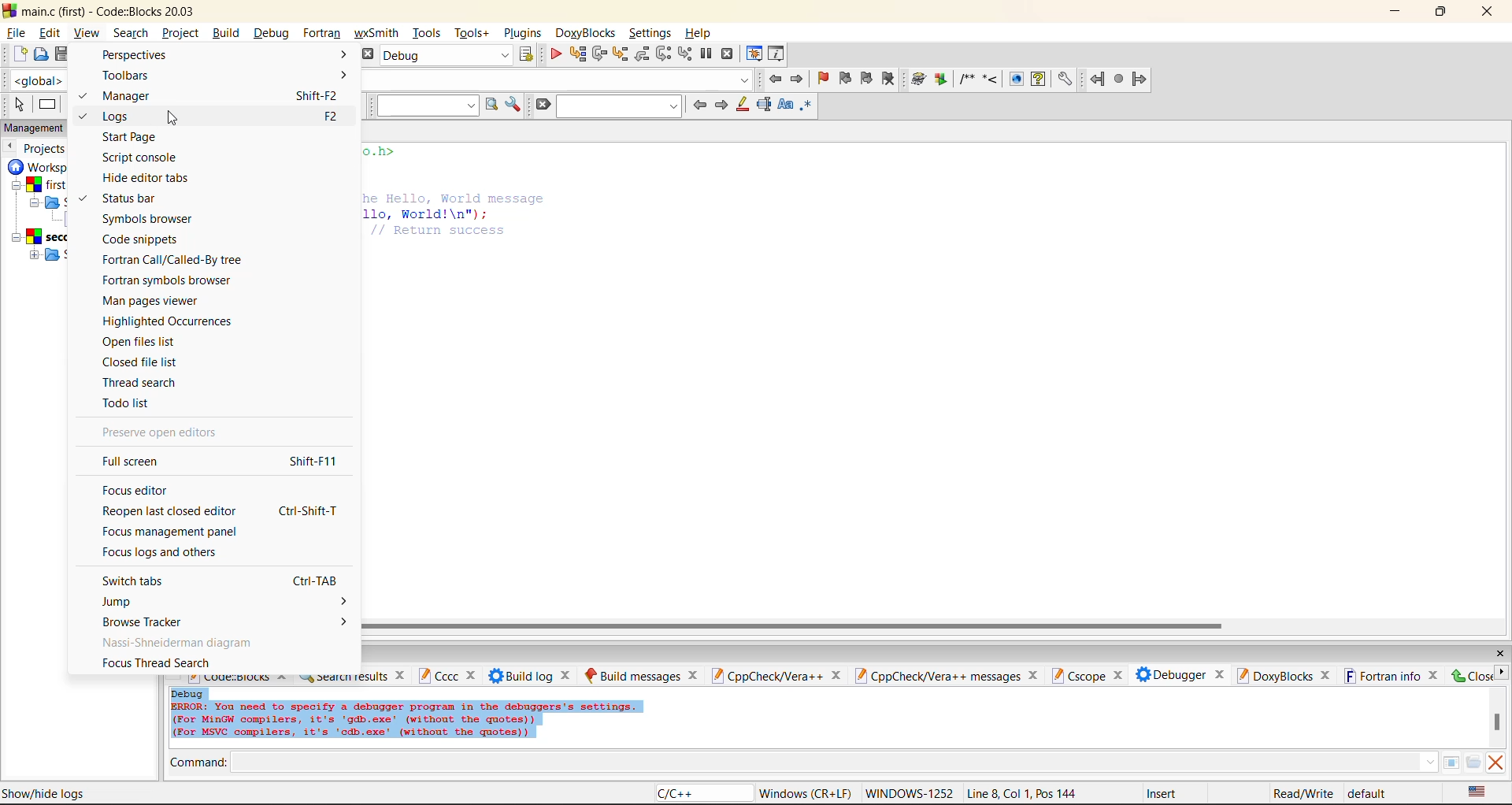 This screenshot has height=805, width=1512. What do you see at coordinates (163, 435) in the screenshot?
I see `preserve open editors` at bounding box center [163, 435].